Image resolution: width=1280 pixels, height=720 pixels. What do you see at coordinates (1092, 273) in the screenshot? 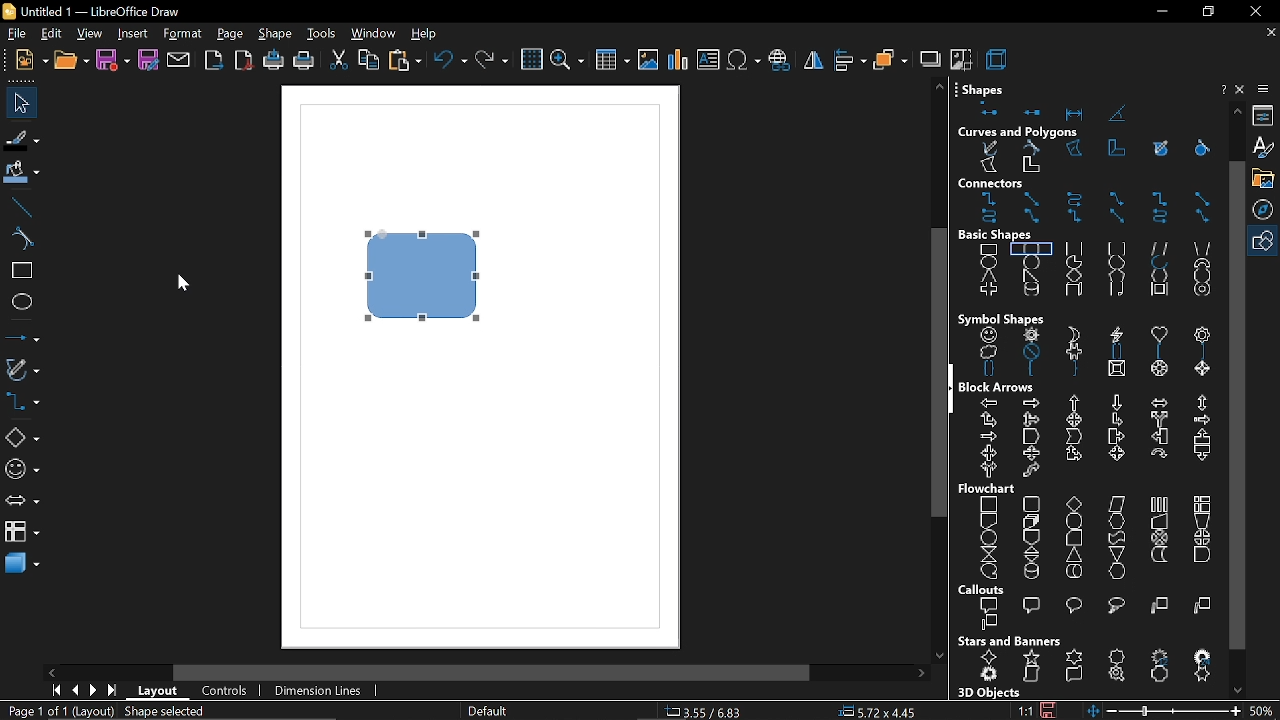
I see `basic shapes` at bounding box center [1092, 273].